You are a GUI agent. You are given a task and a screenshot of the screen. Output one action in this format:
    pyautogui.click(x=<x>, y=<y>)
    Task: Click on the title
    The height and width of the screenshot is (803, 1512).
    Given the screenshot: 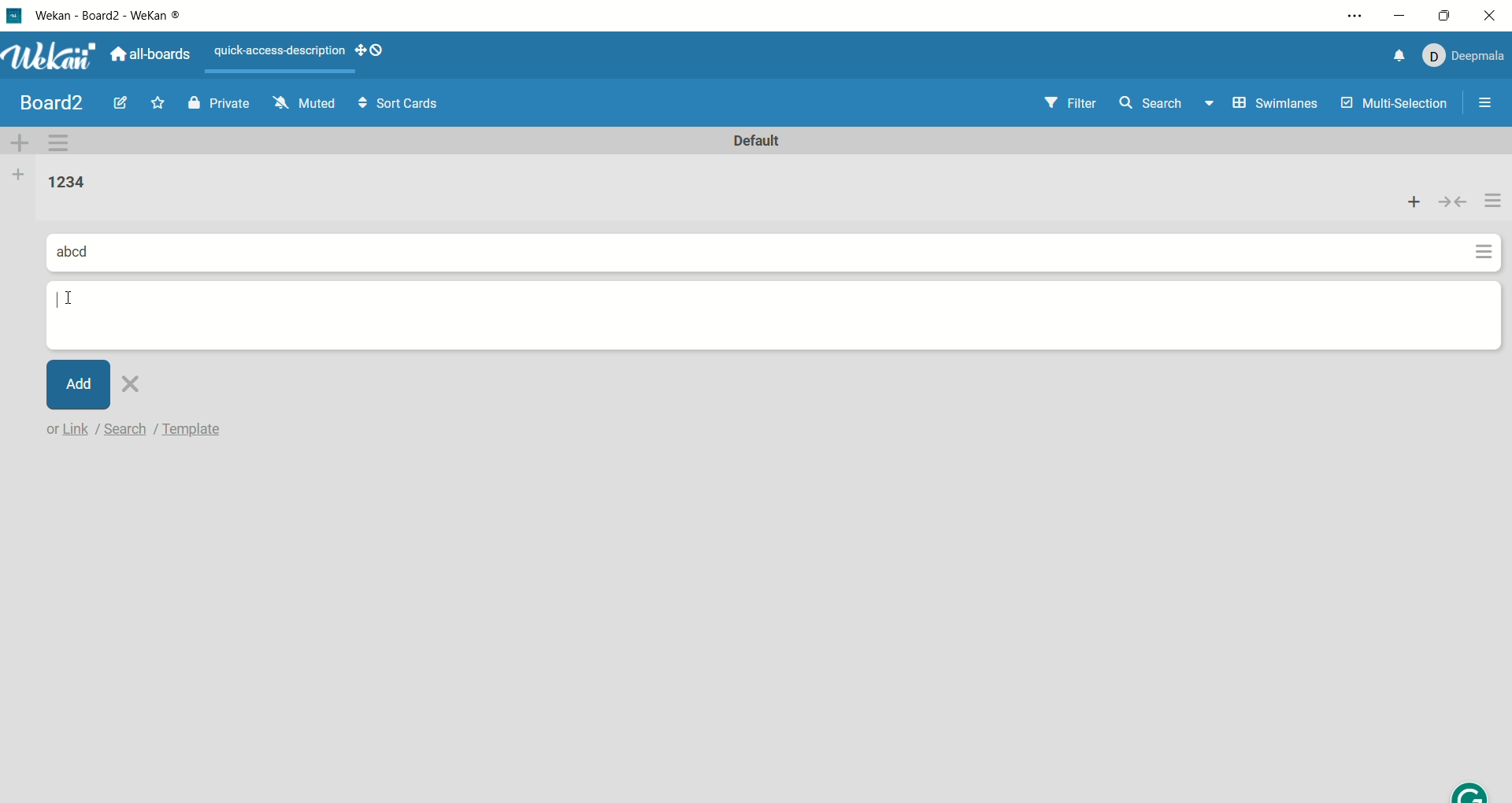 What is the action you would take?
    pyautogui.click(x=46, y=102)
    